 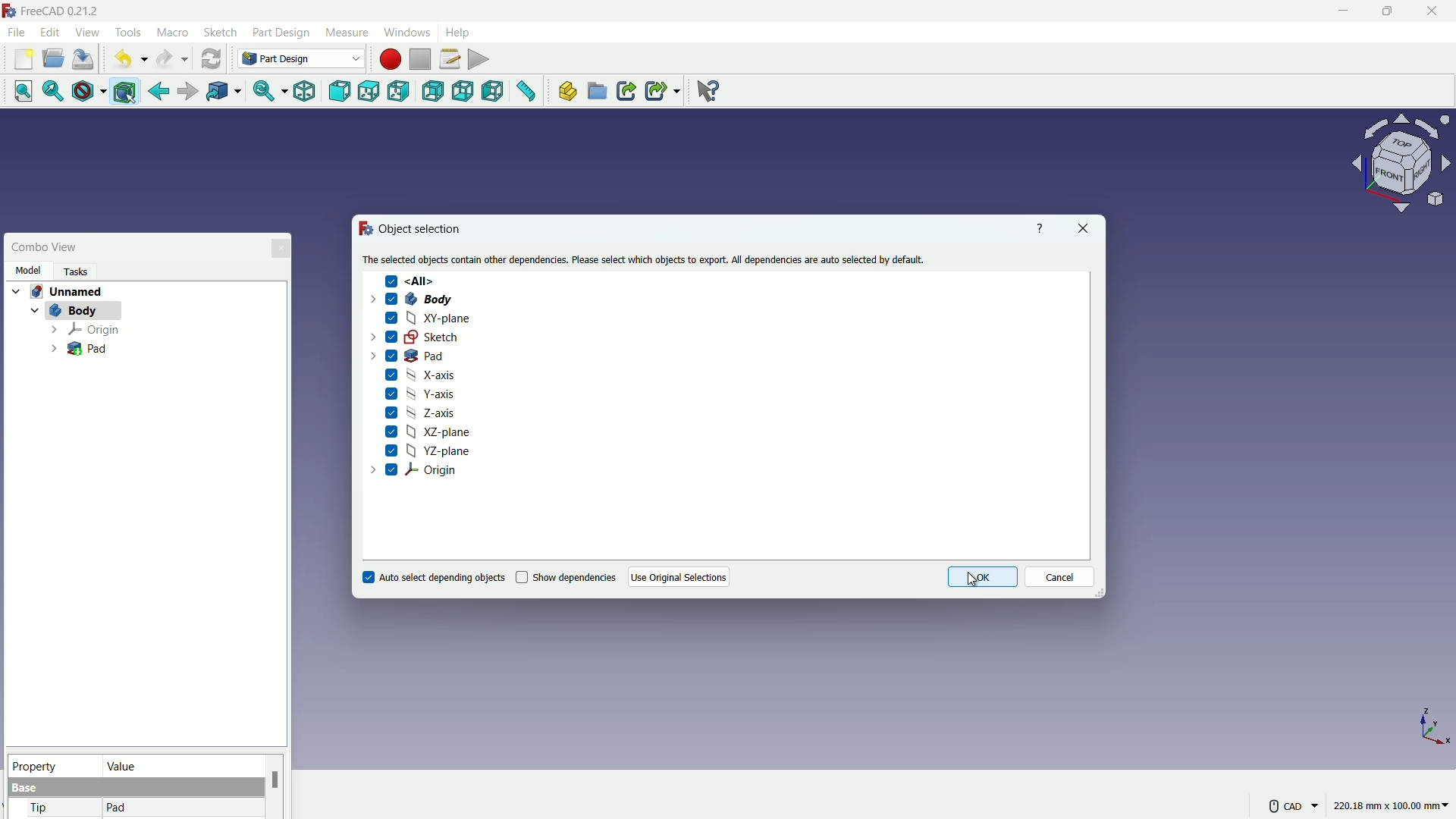 I want to click on dropdown, so click(x=372, y=355).